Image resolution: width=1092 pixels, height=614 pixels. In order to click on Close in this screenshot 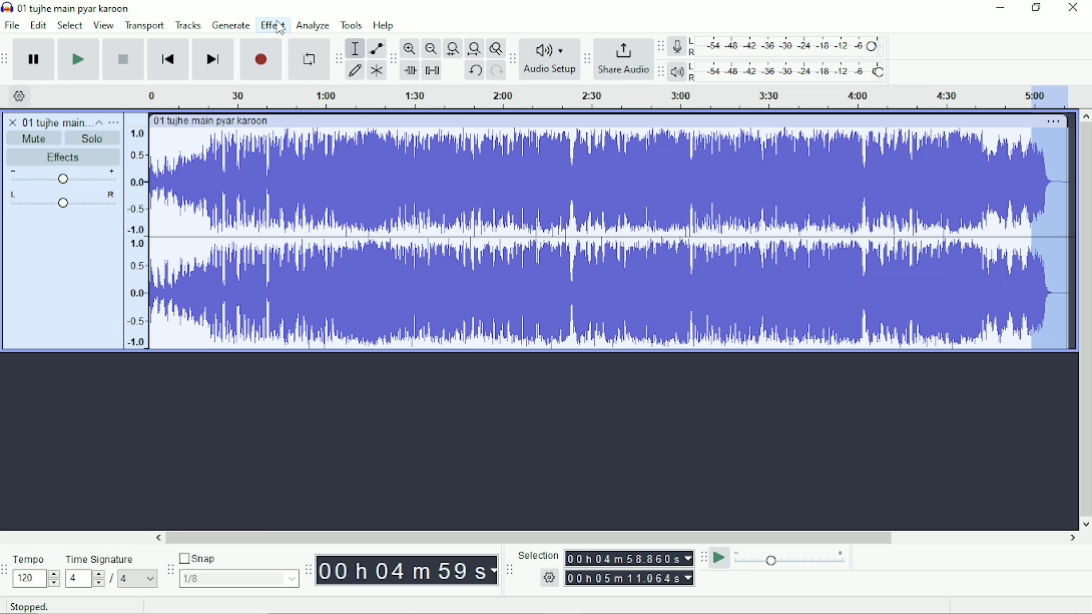, I will do `click(1074, 7)`.